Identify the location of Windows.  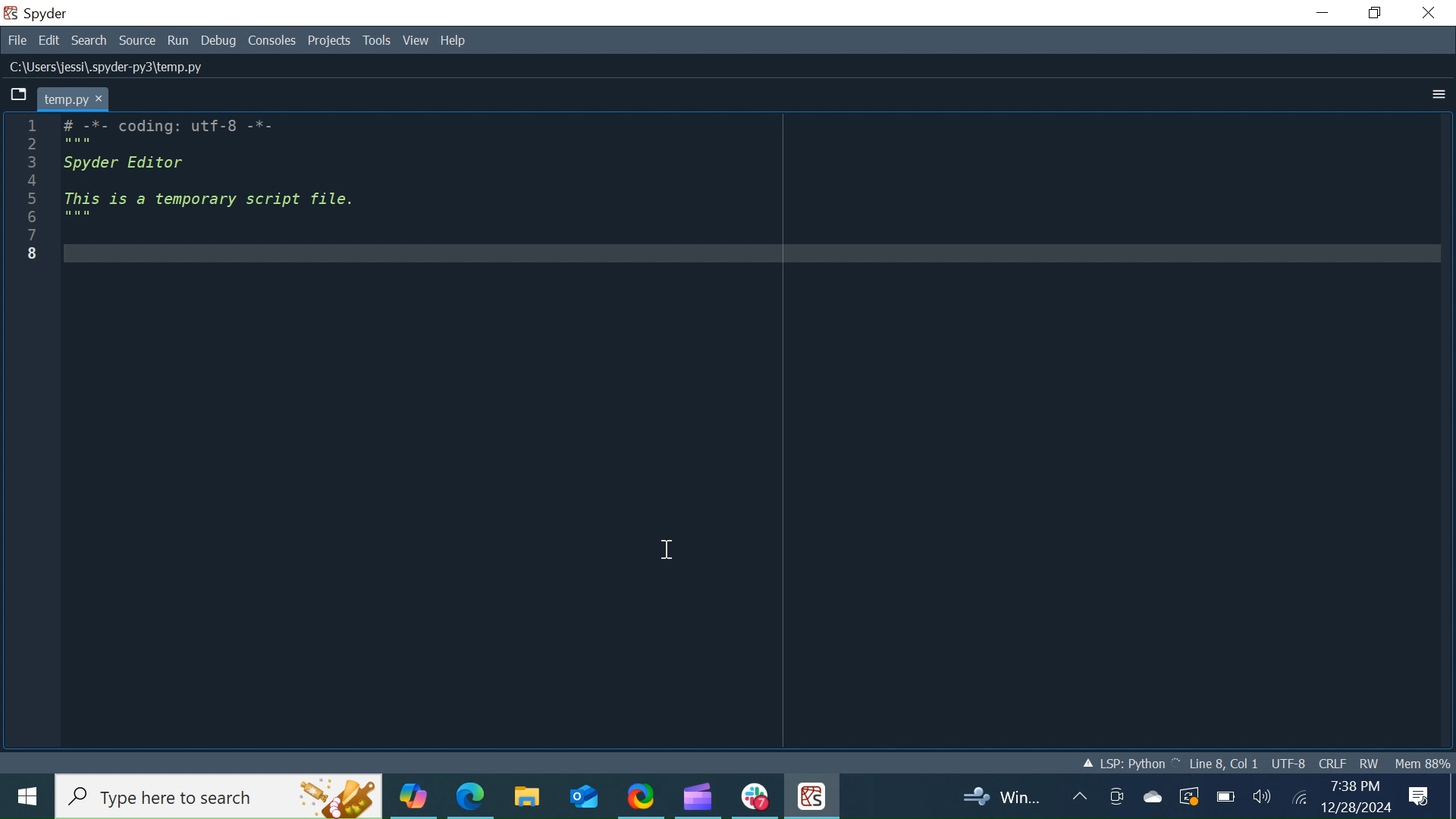
(26, 795).